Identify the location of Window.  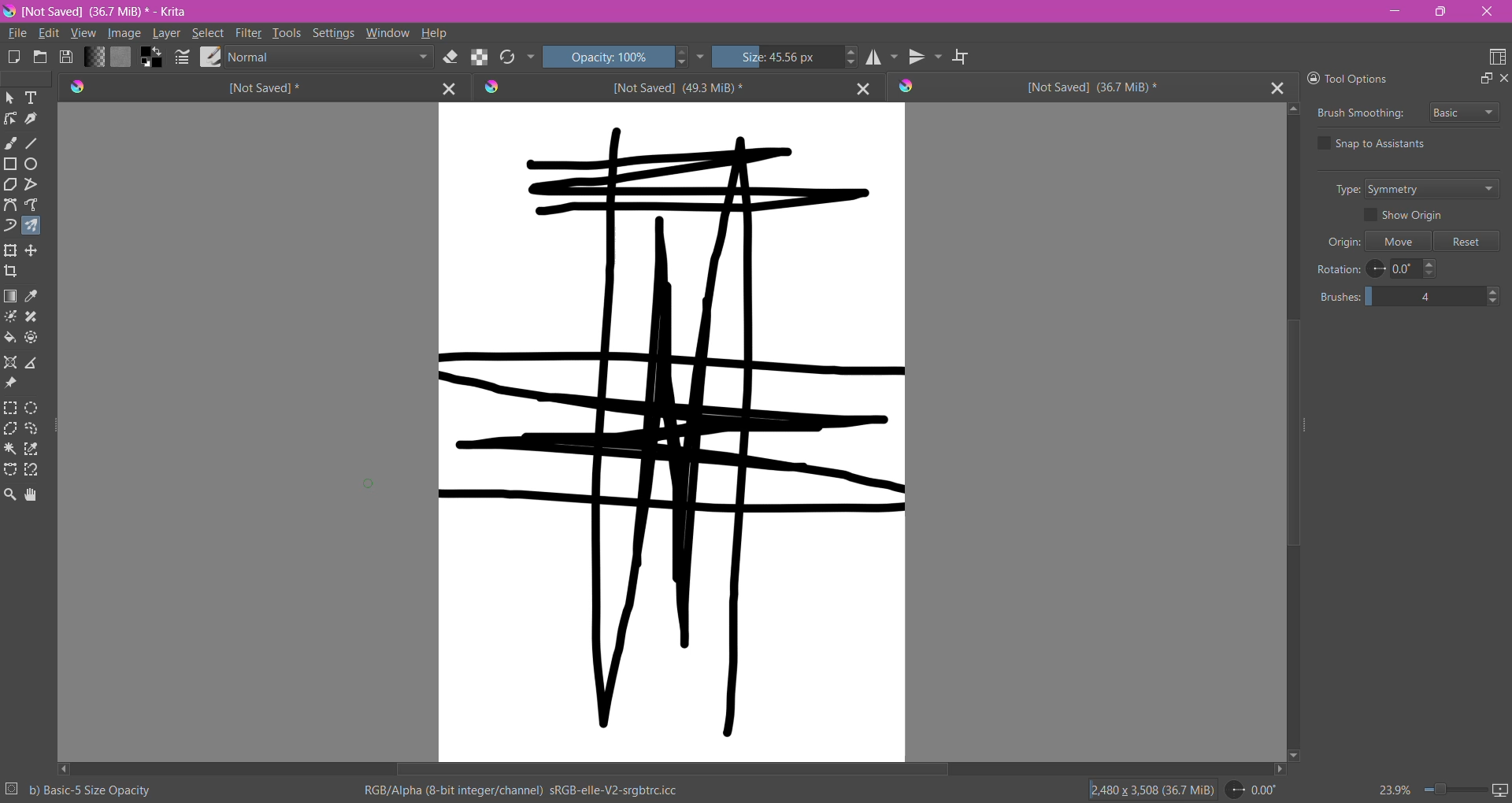
(388, 32).